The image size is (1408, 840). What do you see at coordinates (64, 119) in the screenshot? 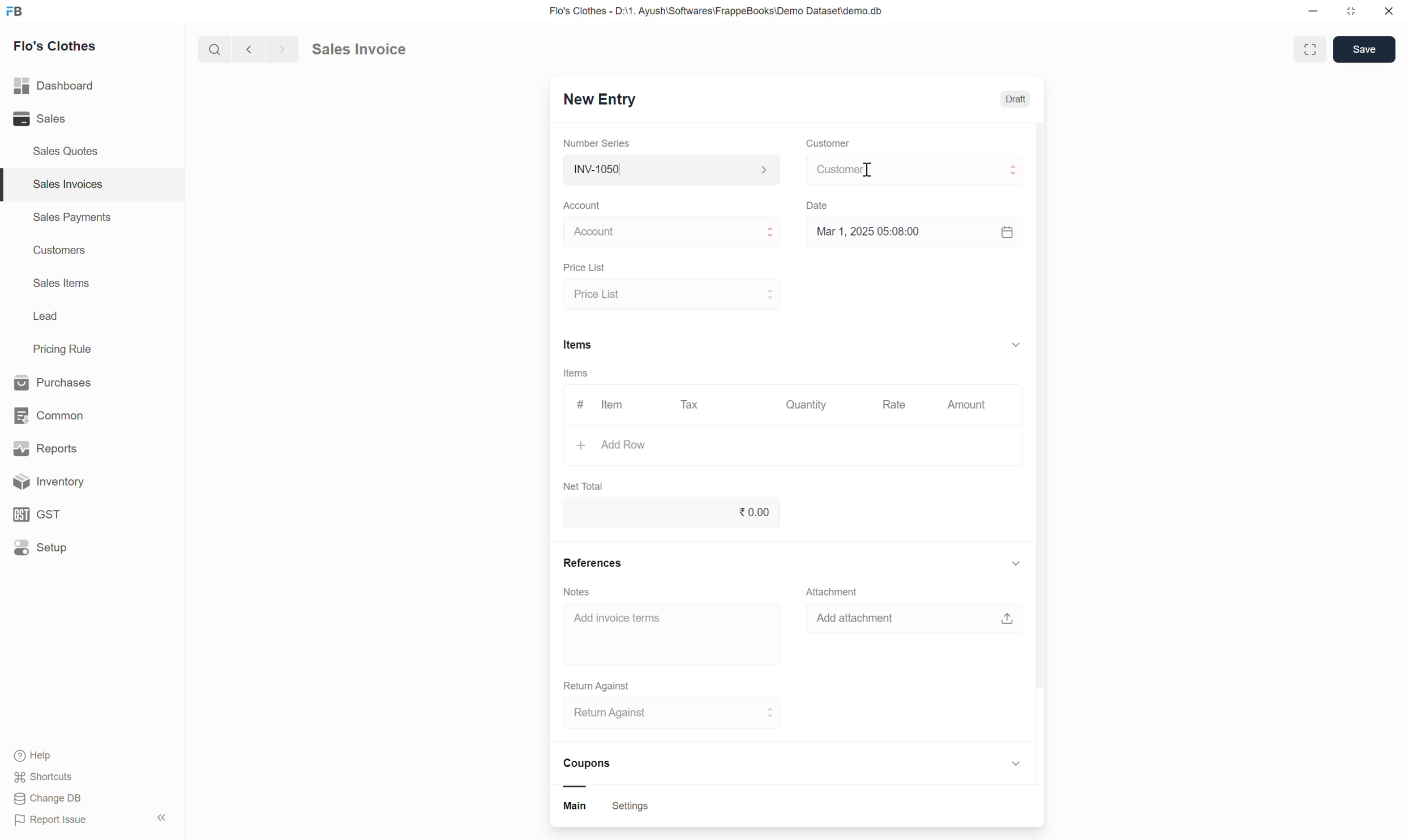
I see `Sales ` at bounding box center [64, 119].